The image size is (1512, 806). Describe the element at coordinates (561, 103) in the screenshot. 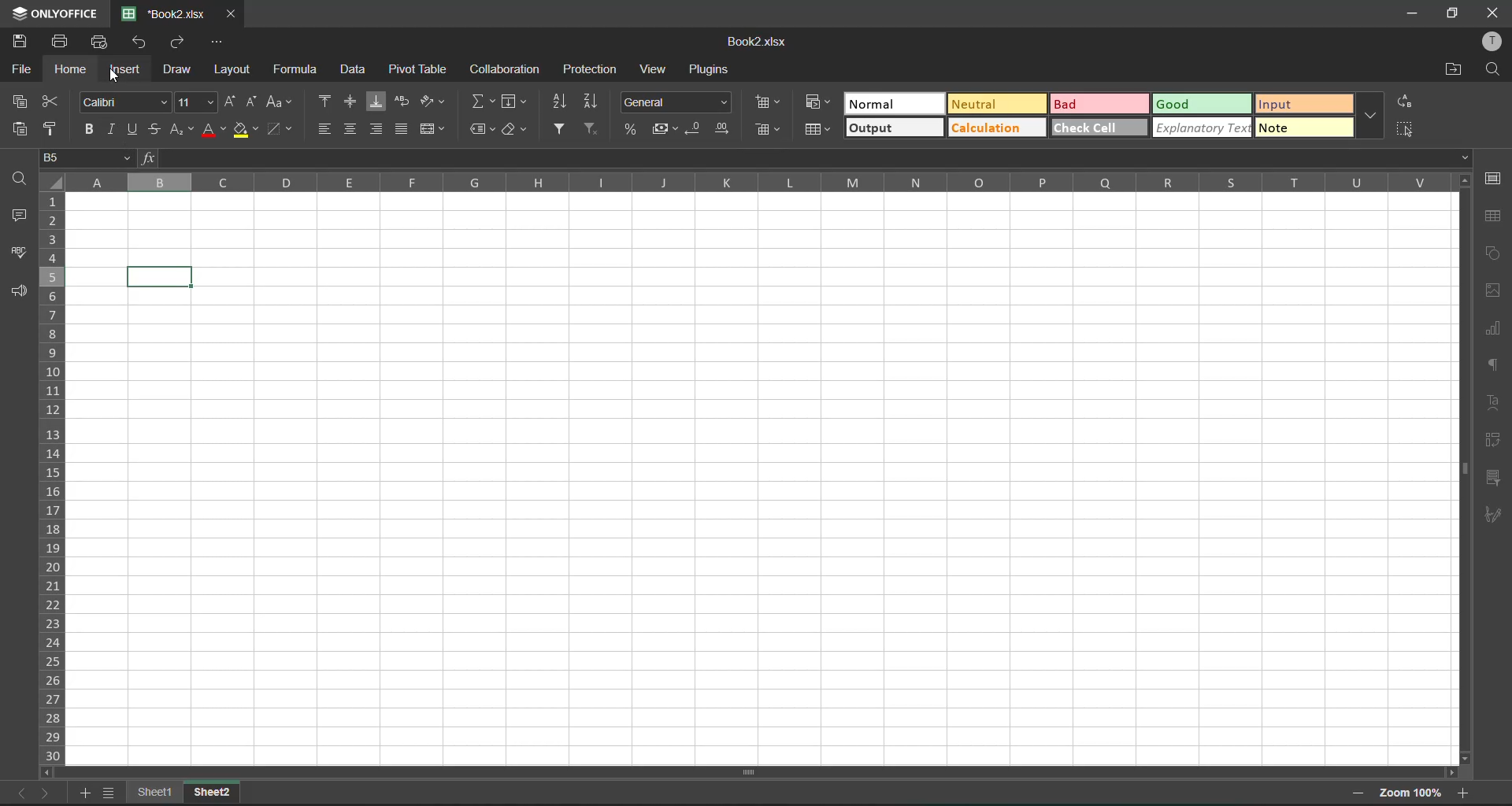

I see `sort ascending` at that location.